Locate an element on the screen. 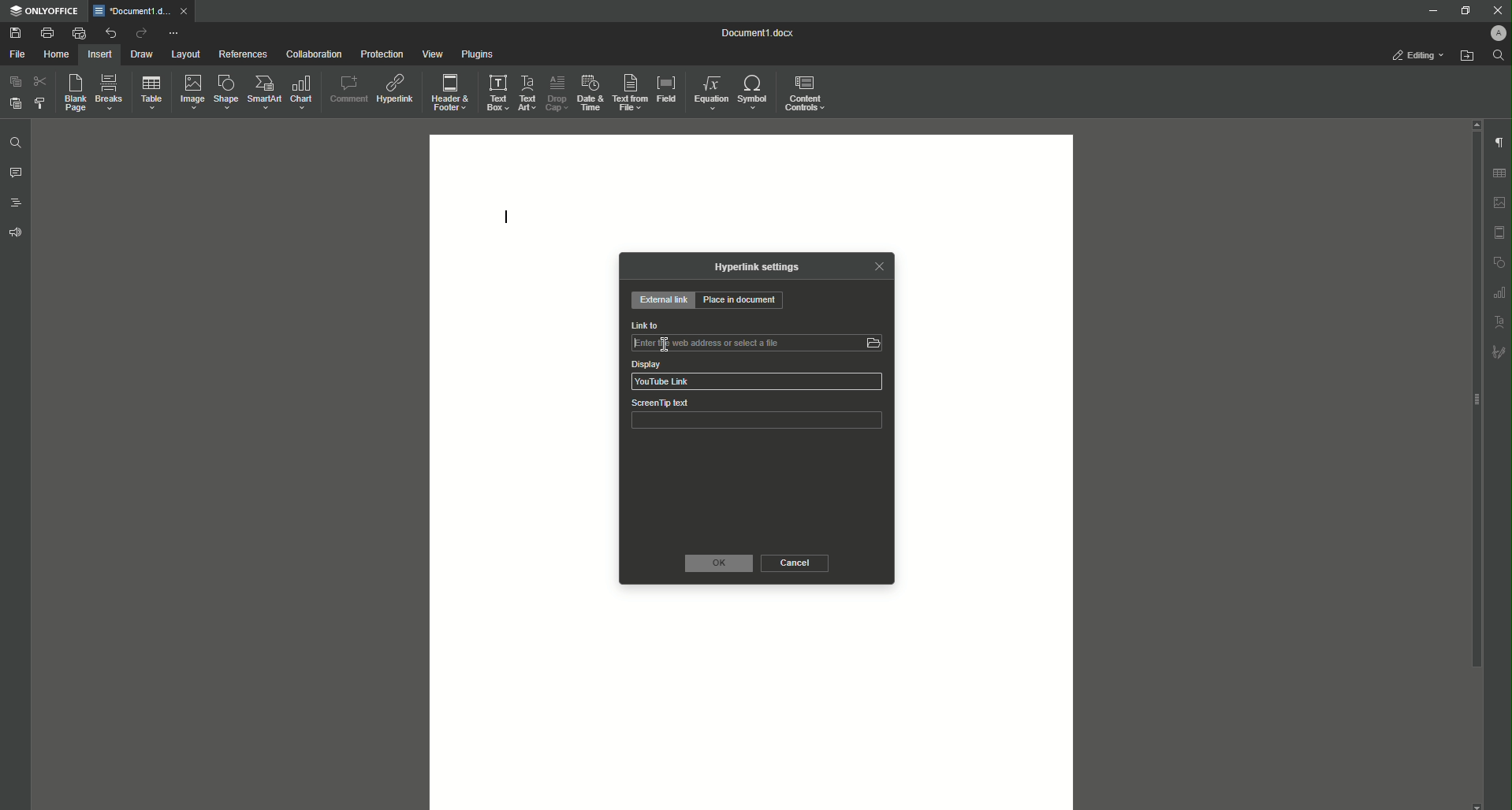 This screenshot has width=1512, height=810. Cancel is located at coordinates (799, 563).